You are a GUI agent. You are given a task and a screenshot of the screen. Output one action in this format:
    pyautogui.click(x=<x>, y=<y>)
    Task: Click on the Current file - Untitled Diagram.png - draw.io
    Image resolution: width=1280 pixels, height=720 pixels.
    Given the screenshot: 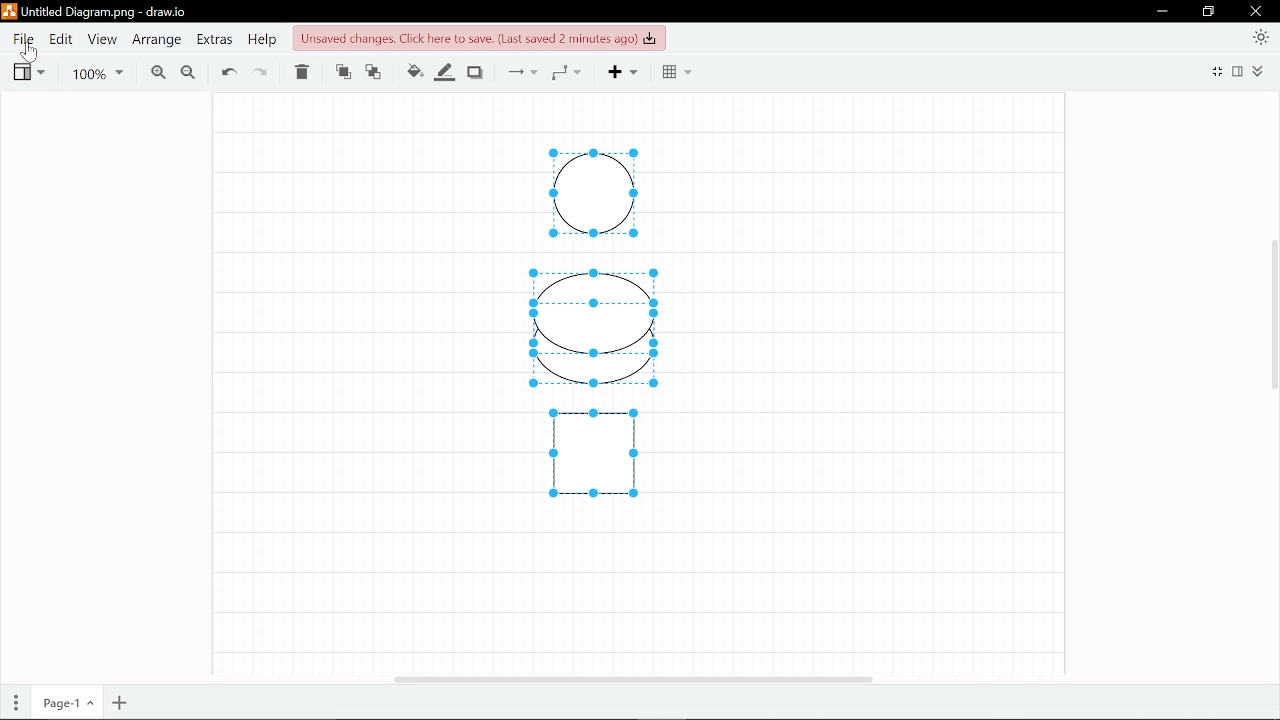 What is the action you would take?
    pyautogui.click(x=97, y=13)
    